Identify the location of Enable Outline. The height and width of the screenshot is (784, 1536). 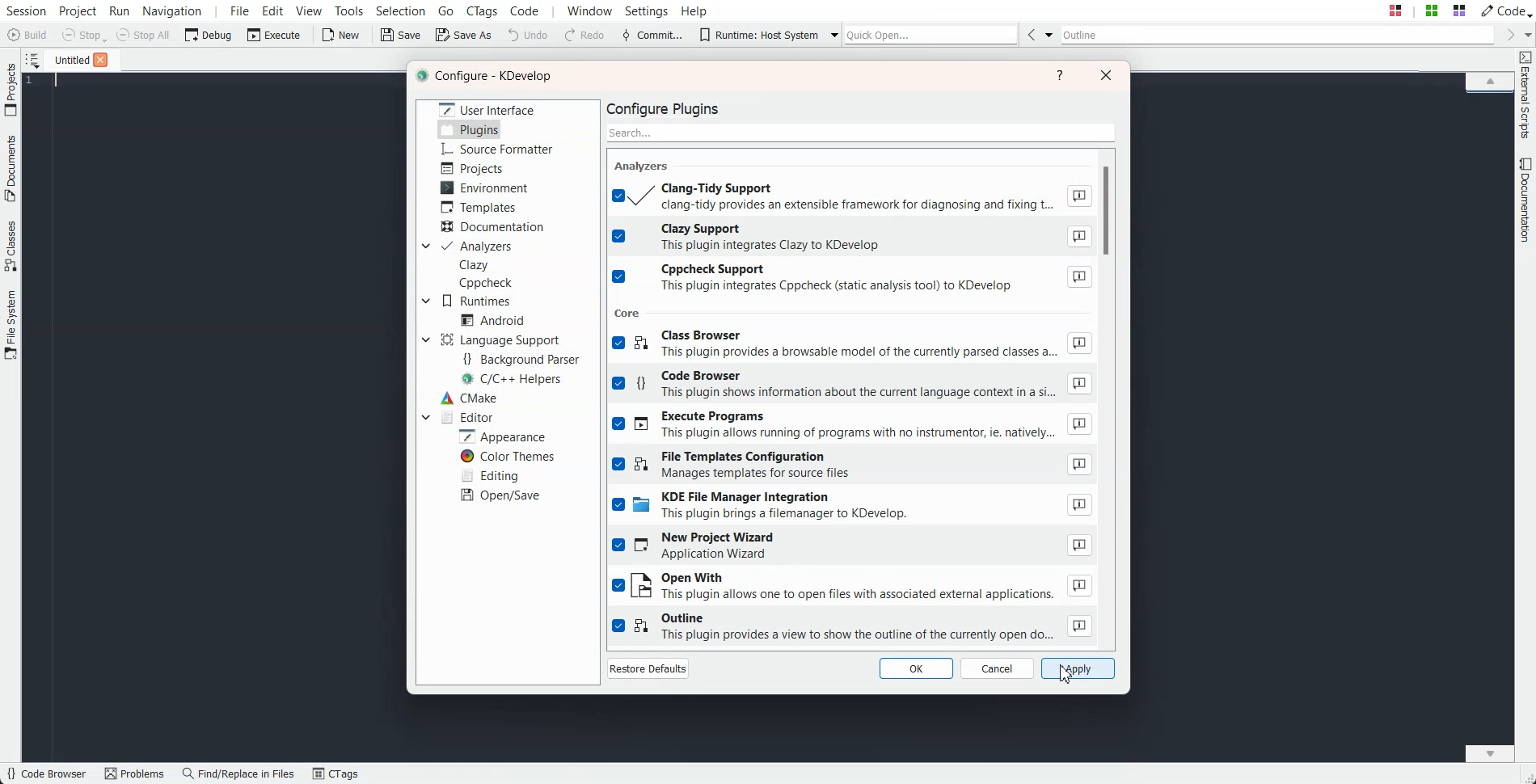
(853, 627).